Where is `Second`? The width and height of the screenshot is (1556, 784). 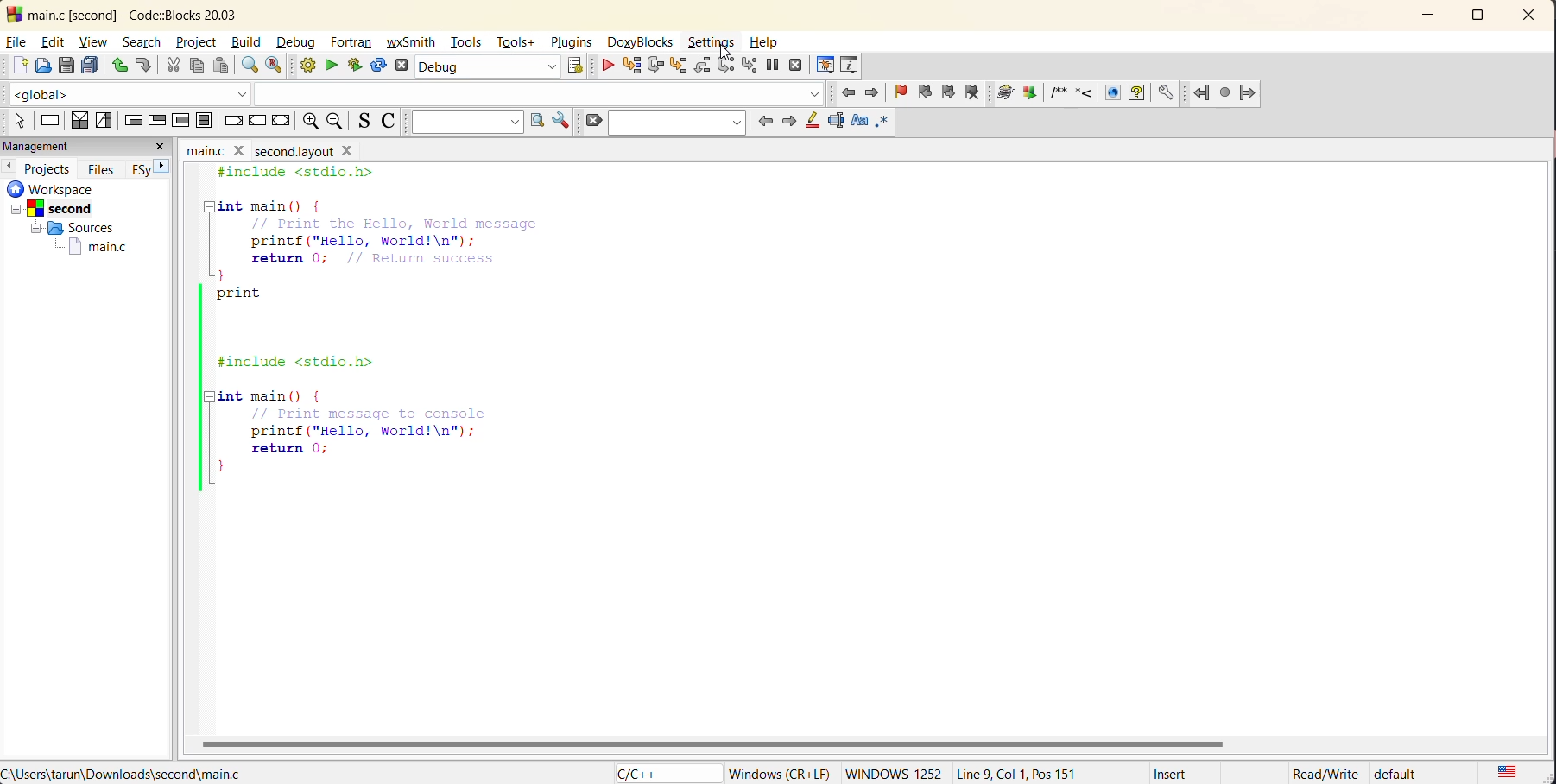
Second is located at coordinates (67, 206).